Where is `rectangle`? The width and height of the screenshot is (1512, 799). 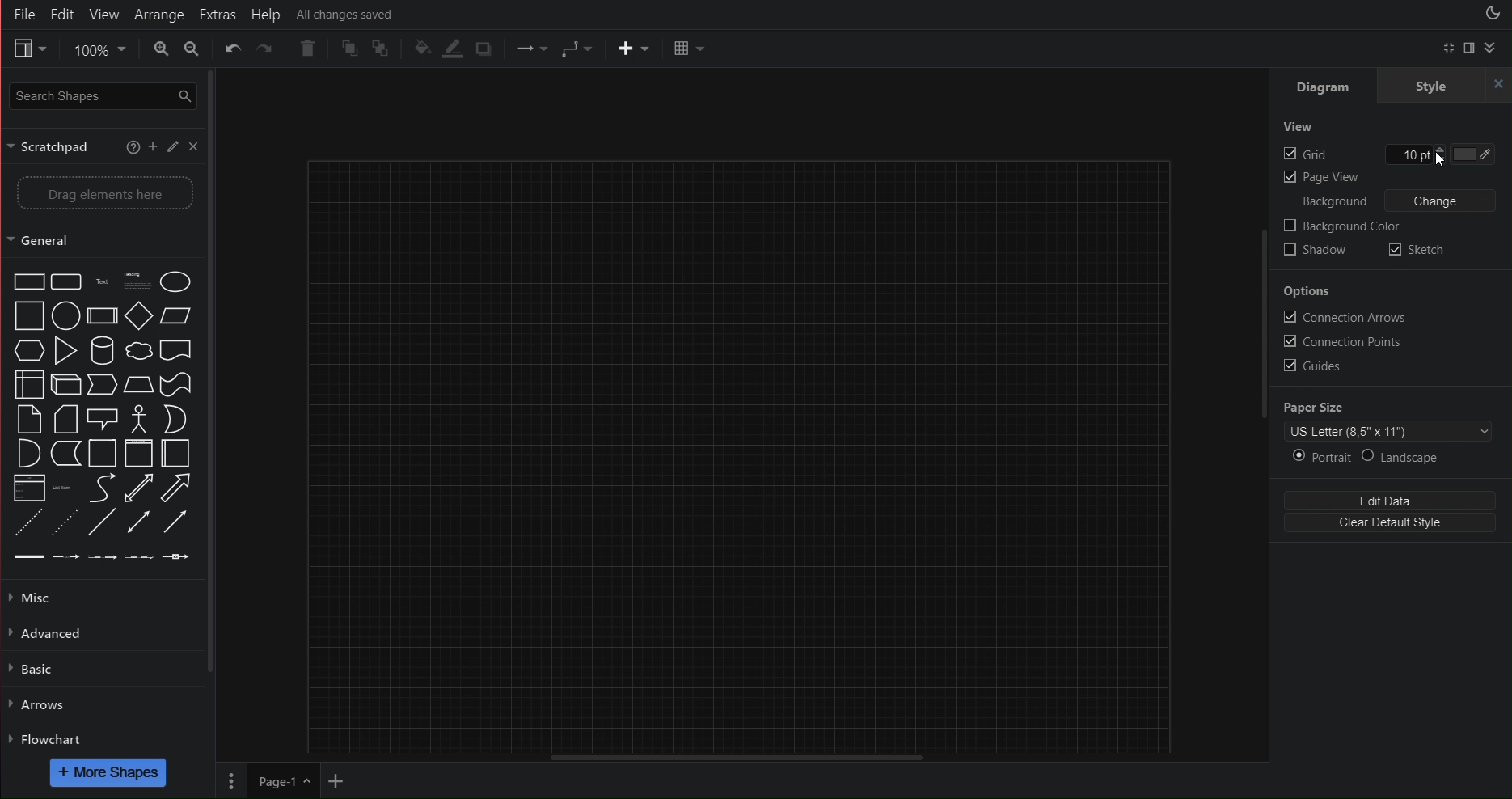 rectangle is located at coordinates (65, 277).